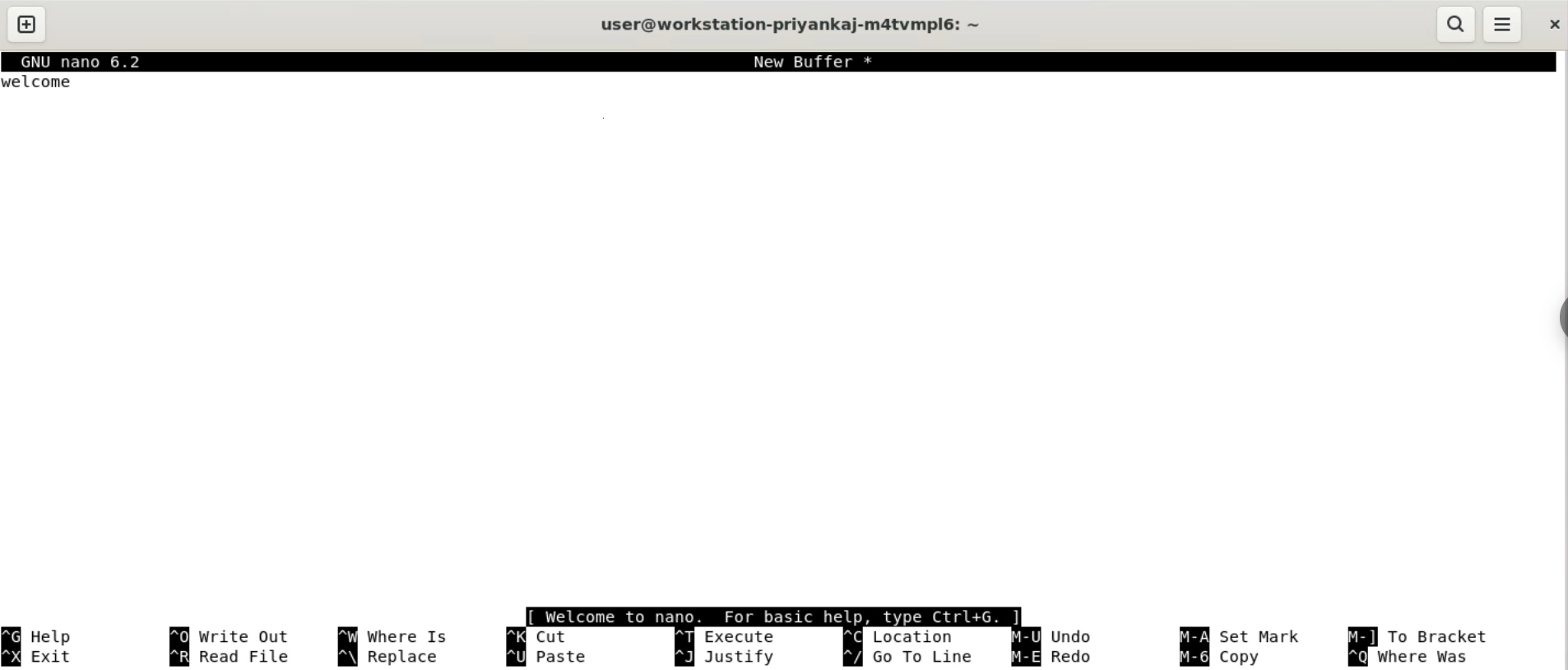 This screenshot has height=670, width=1568. I want to click on justify, so click(728, 658).